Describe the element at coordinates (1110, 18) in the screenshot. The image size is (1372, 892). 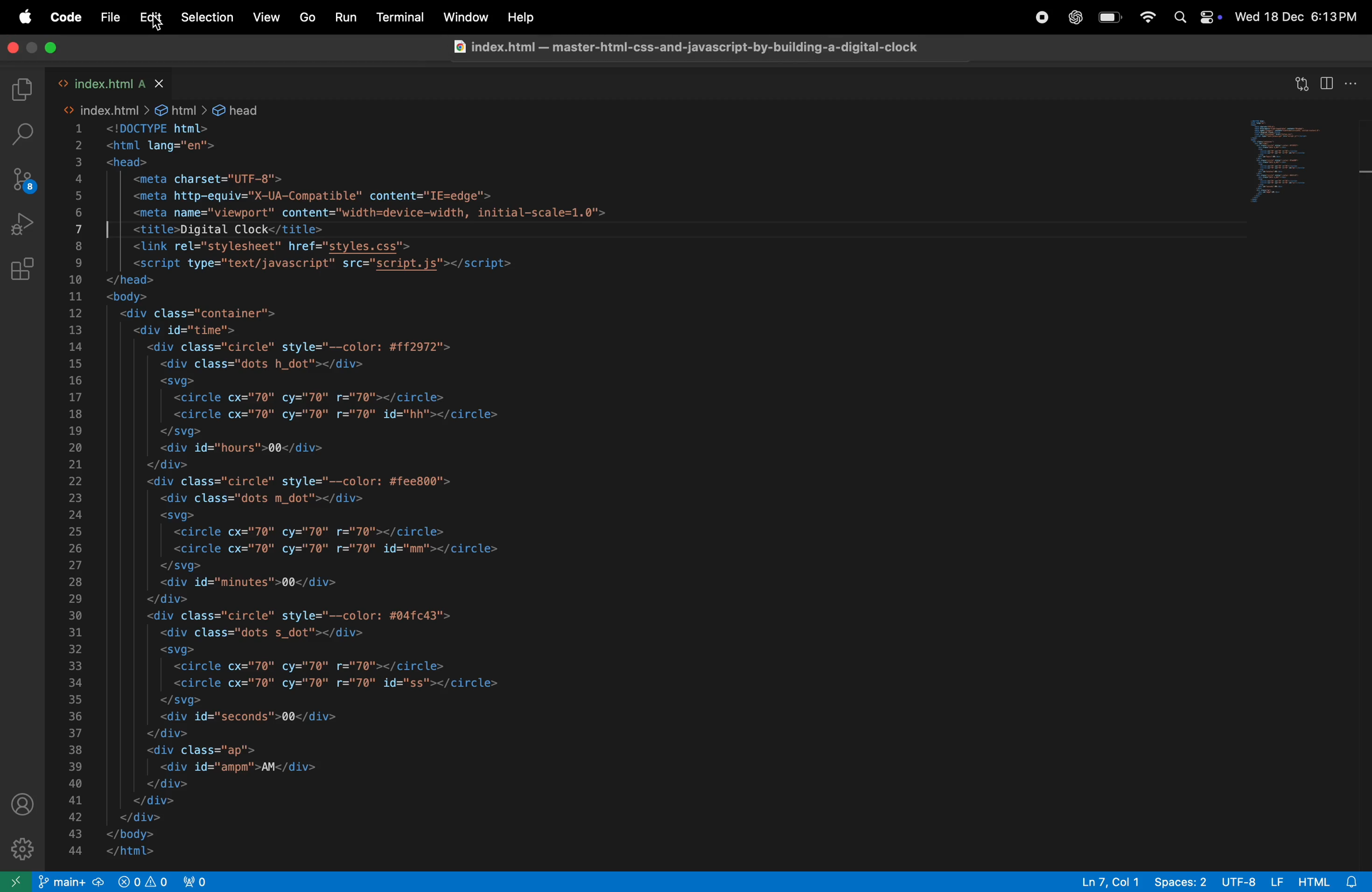
I see `battery` at that location.